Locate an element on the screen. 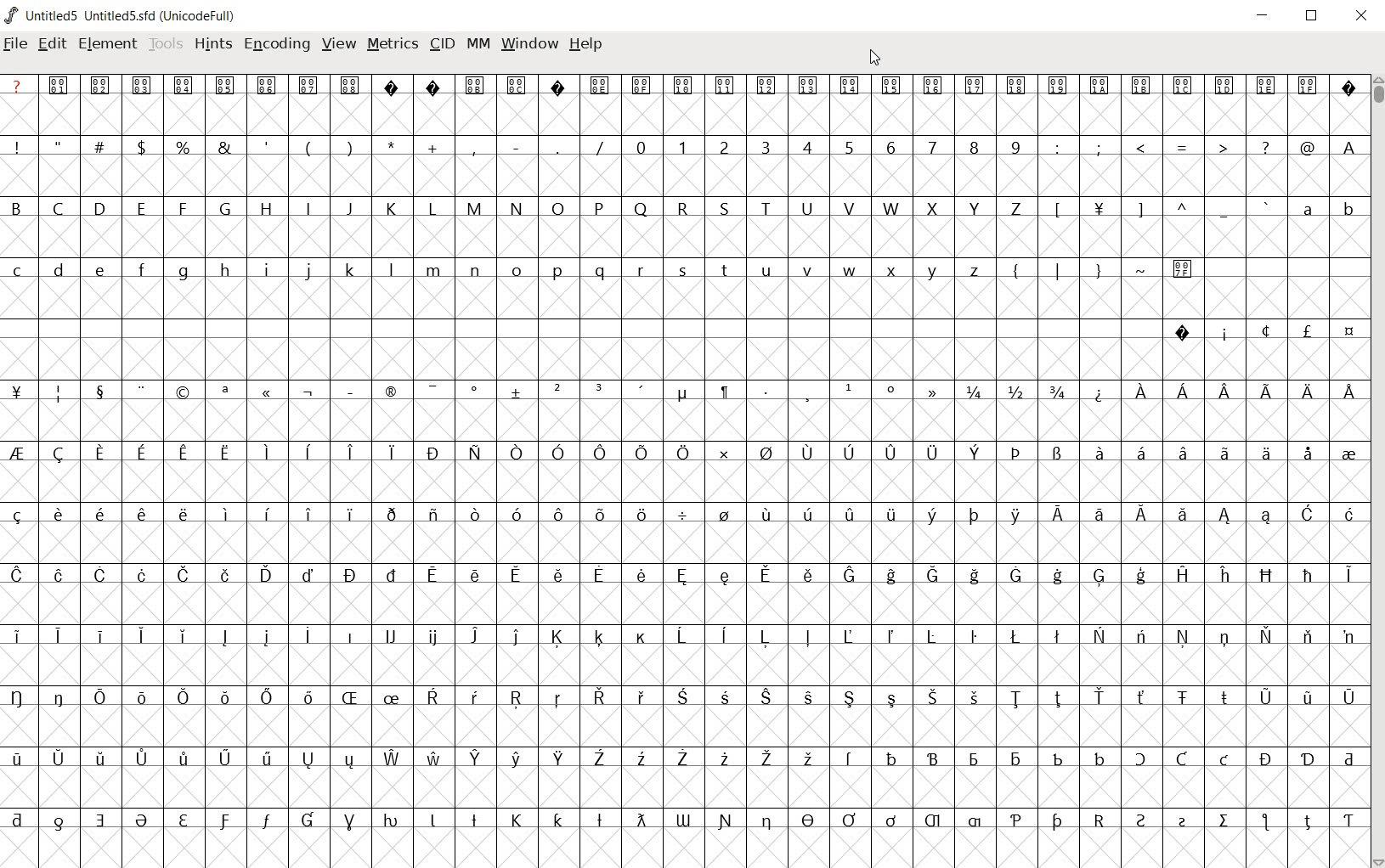  Symbol is located at coordinates (809, 759).